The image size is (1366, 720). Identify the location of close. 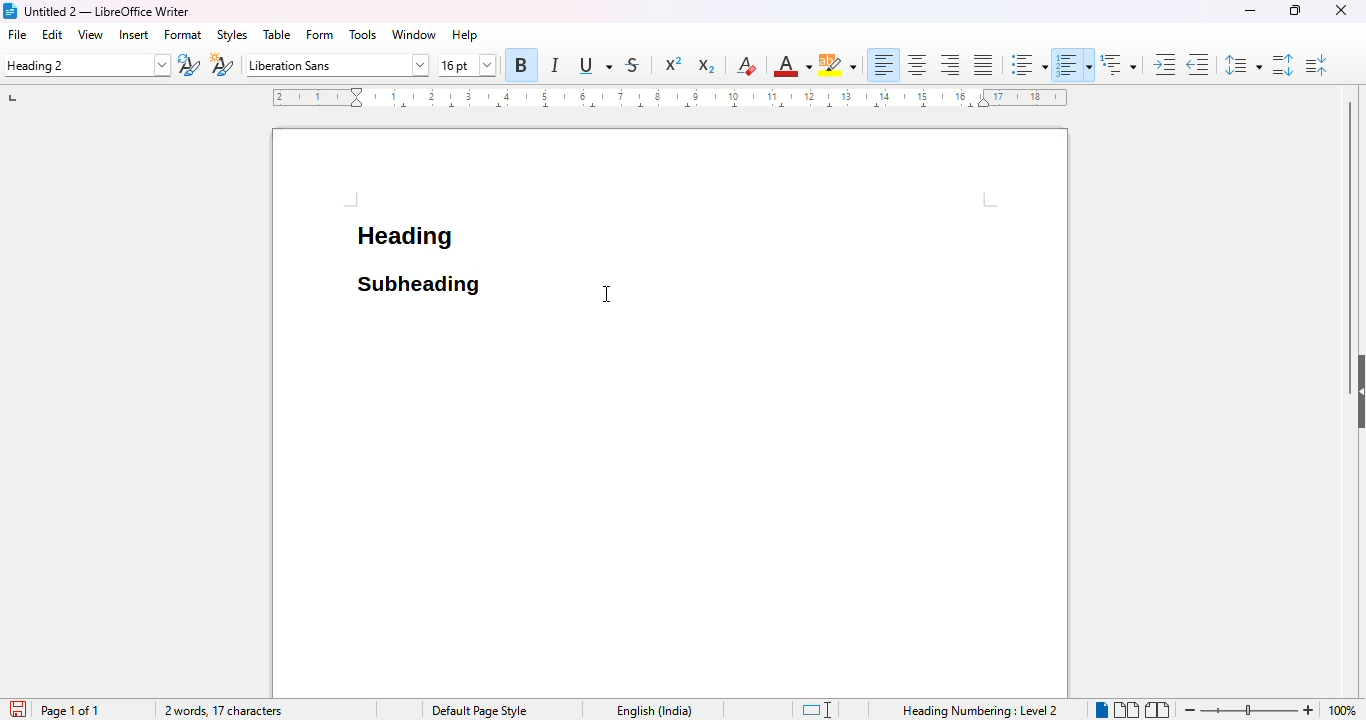
(1341, 10).